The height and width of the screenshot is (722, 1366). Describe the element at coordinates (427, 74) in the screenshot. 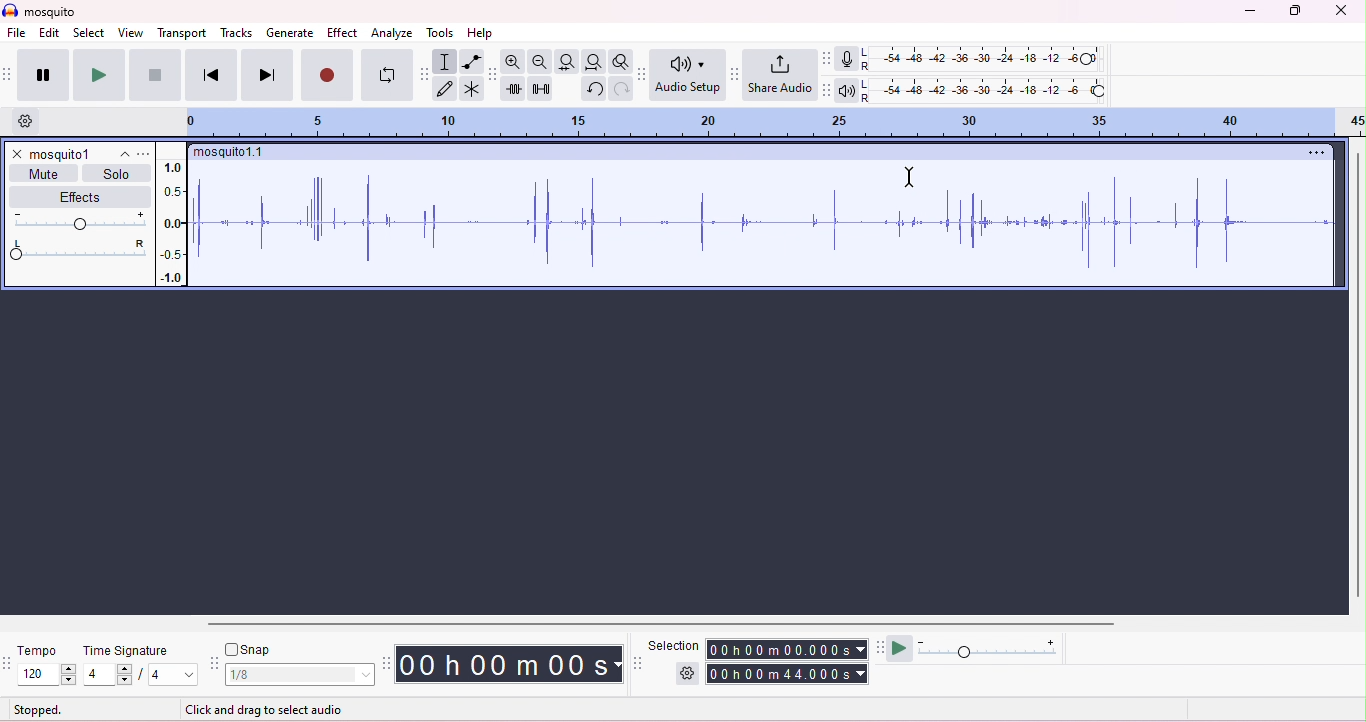

I see `tools tool bar` at that location.